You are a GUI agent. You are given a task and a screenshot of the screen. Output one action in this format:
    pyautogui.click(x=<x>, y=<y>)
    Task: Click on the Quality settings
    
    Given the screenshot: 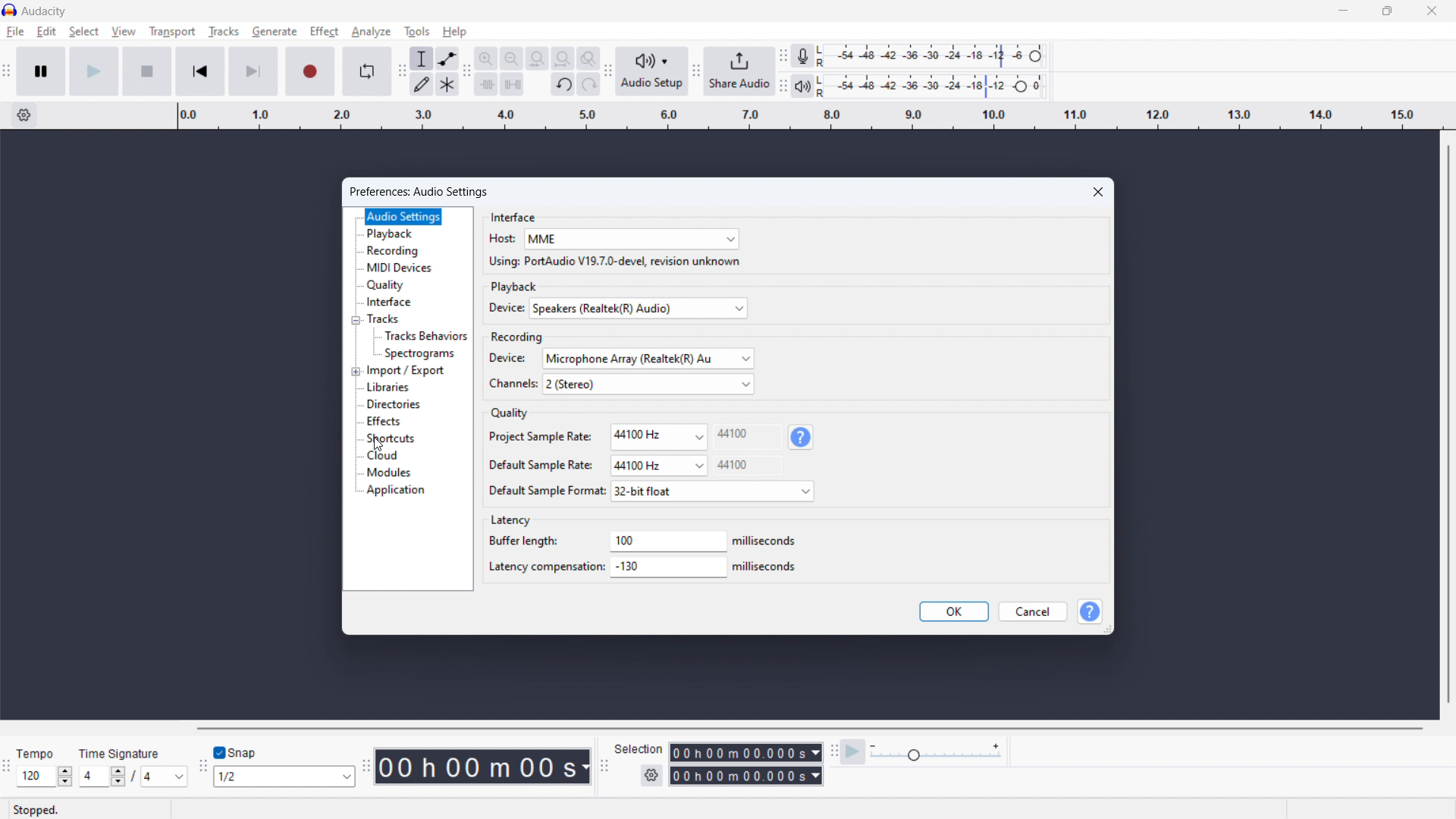 What is the action you would take?
    pyautogui.click(x=547, y=463)
    